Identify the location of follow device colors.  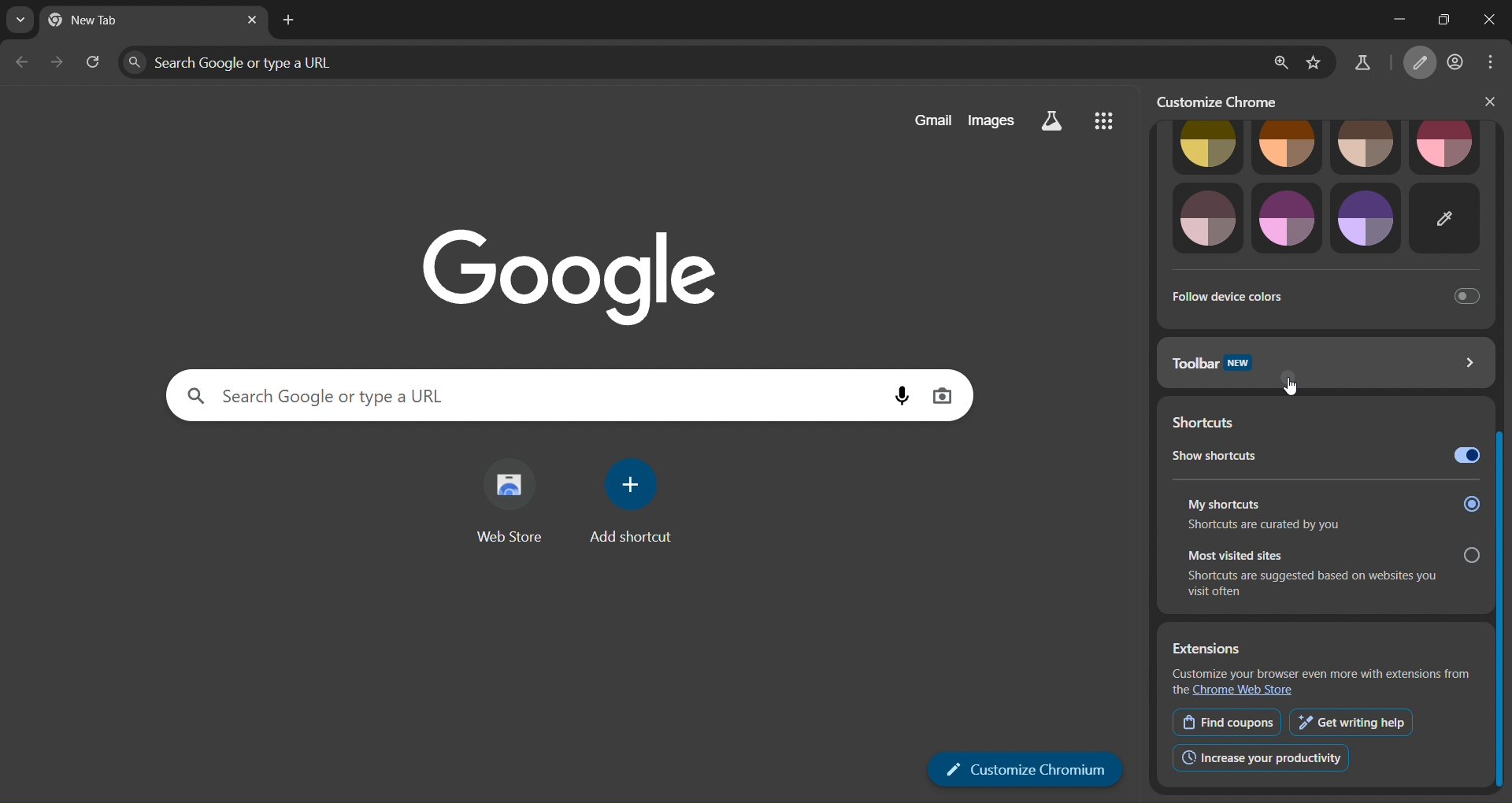
(1323, 294).